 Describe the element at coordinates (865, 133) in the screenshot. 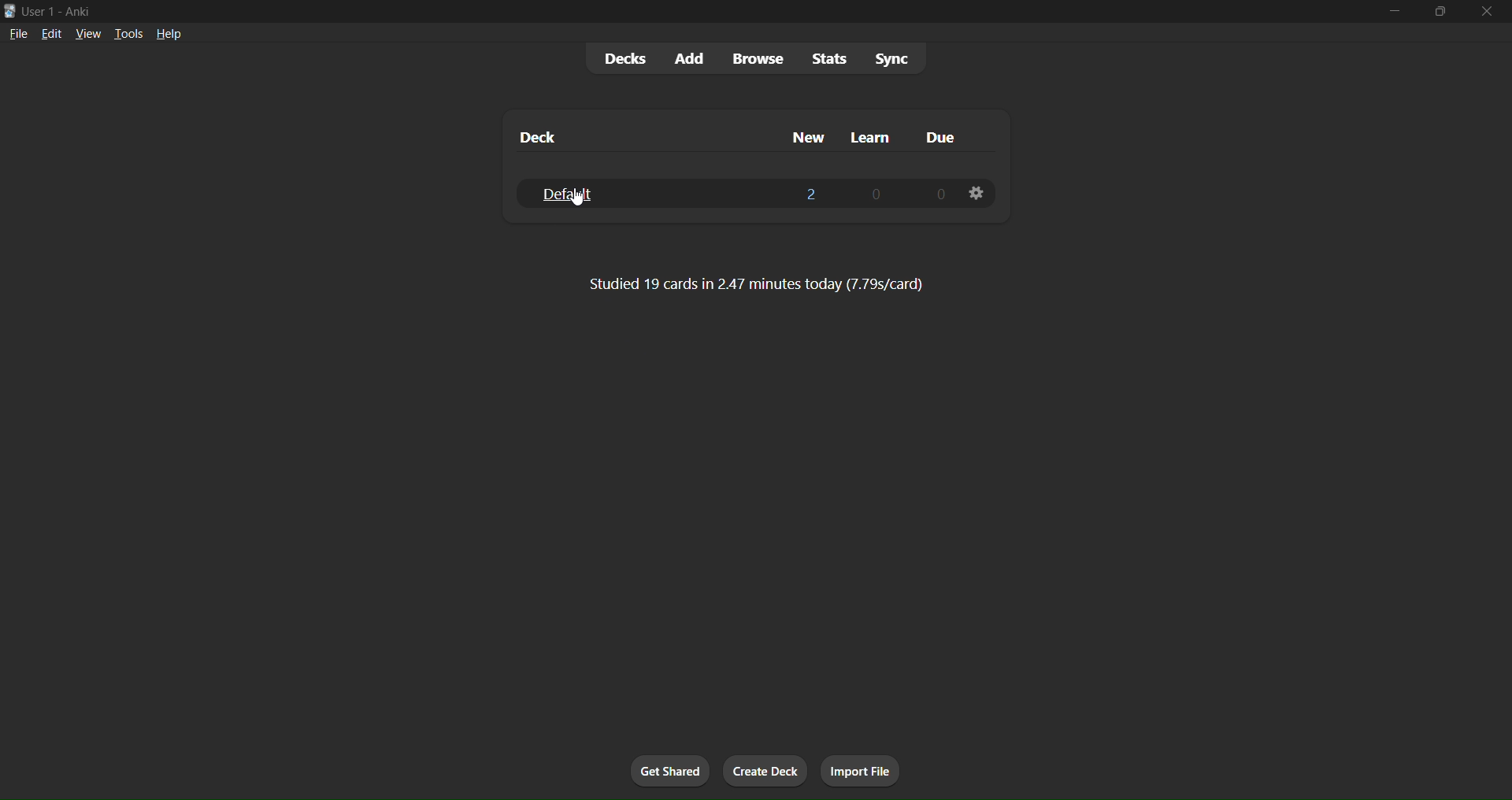

I see `learn` at that location.